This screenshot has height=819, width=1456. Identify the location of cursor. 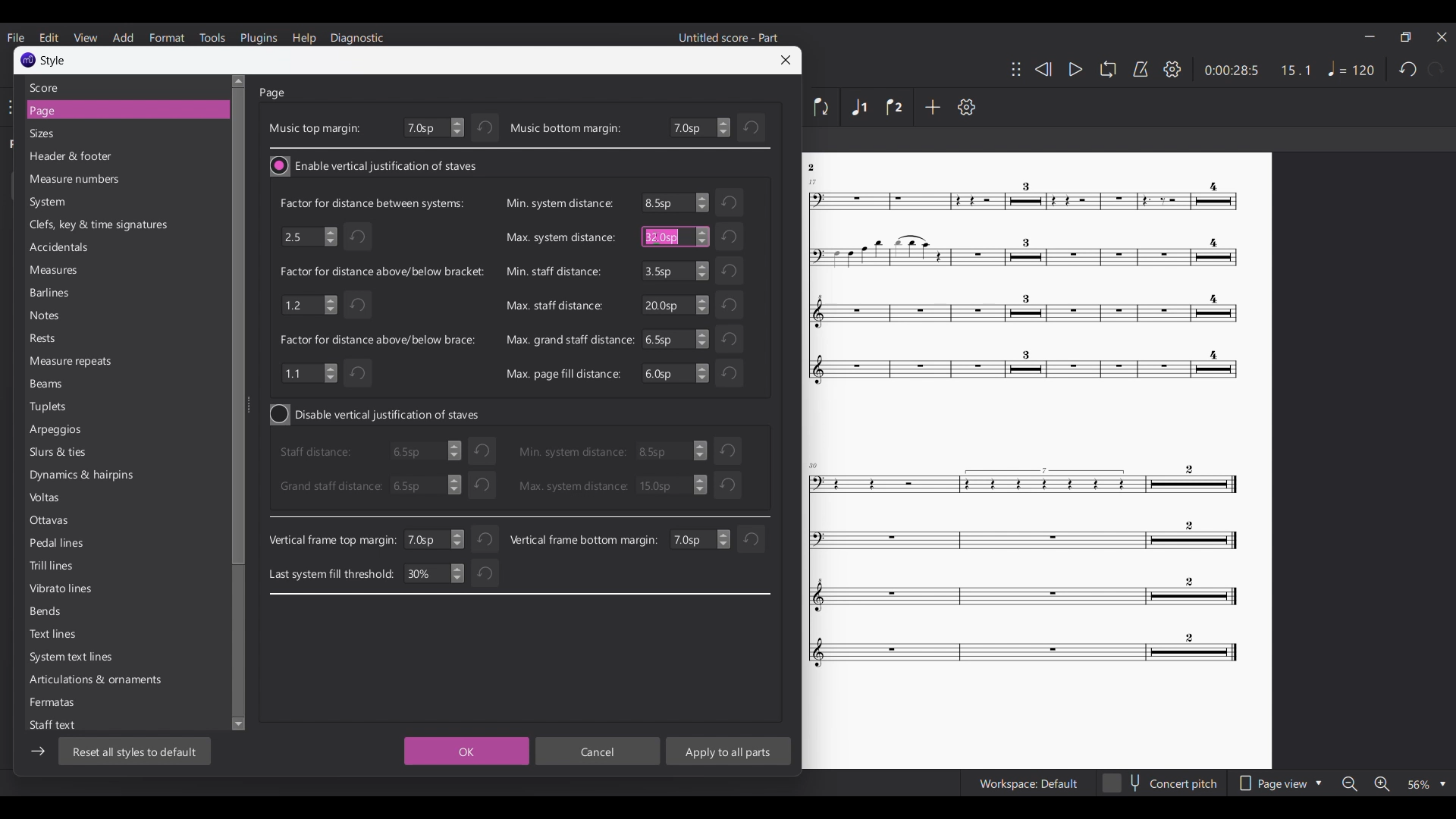
(658, 239).